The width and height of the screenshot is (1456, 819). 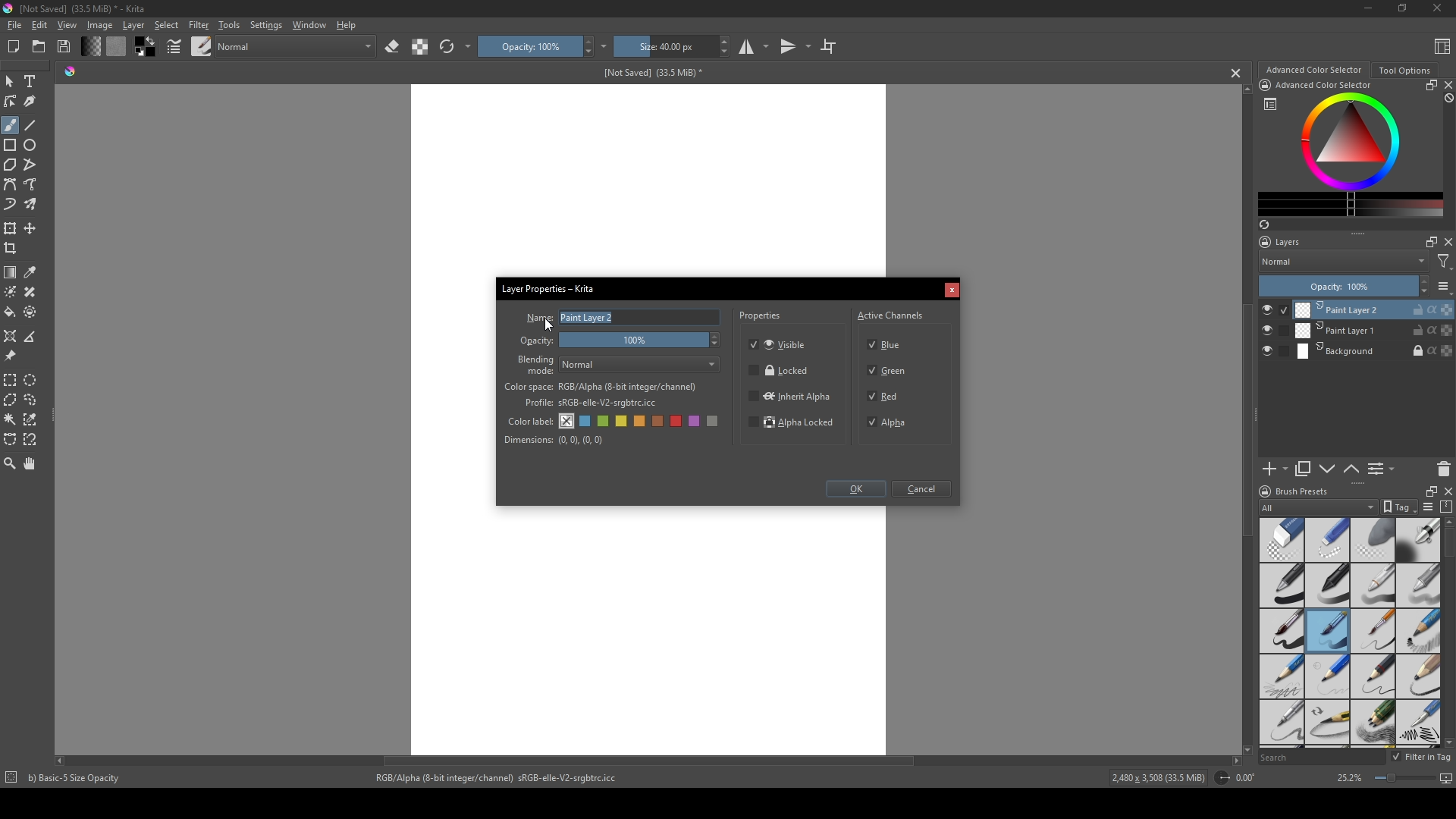 What do you see at coordinates (1326, 539) in the screenshot?
I see `hard eraser` at bounding box center [1326, 539].